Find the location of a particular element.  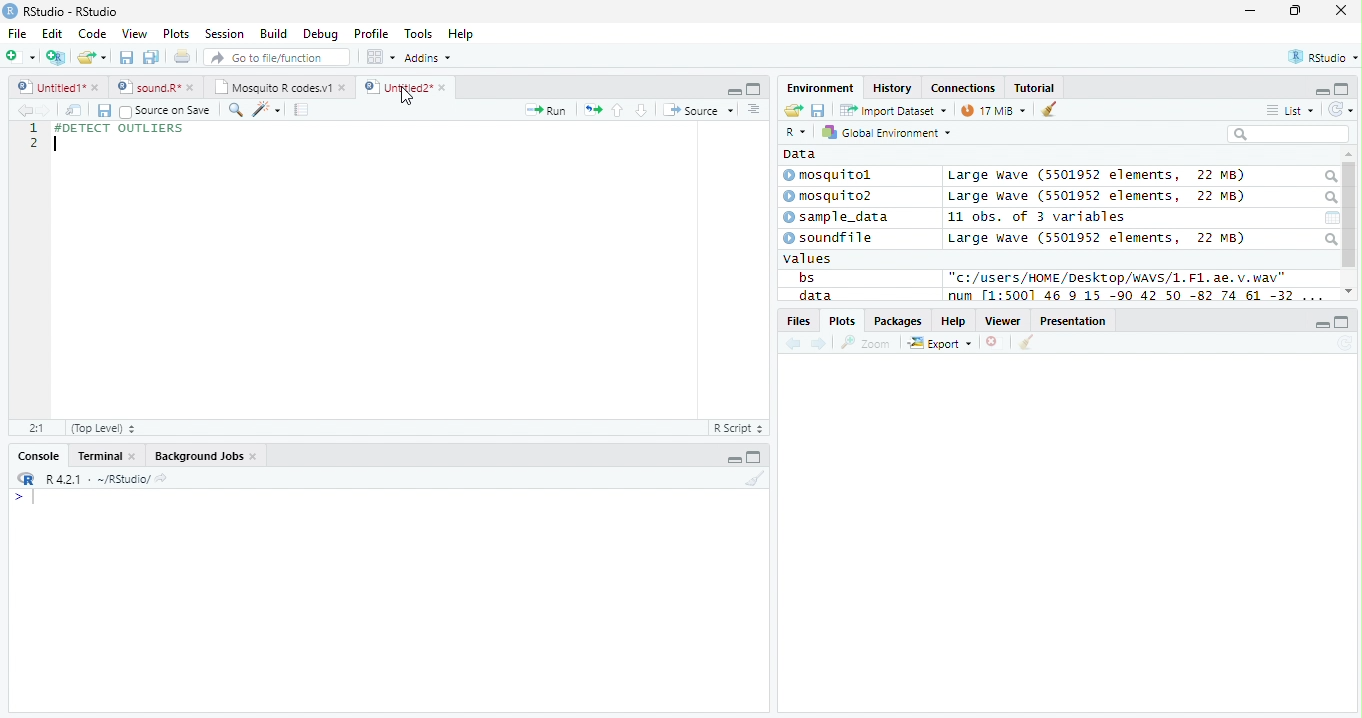

View is located at coordinates (136, 33).